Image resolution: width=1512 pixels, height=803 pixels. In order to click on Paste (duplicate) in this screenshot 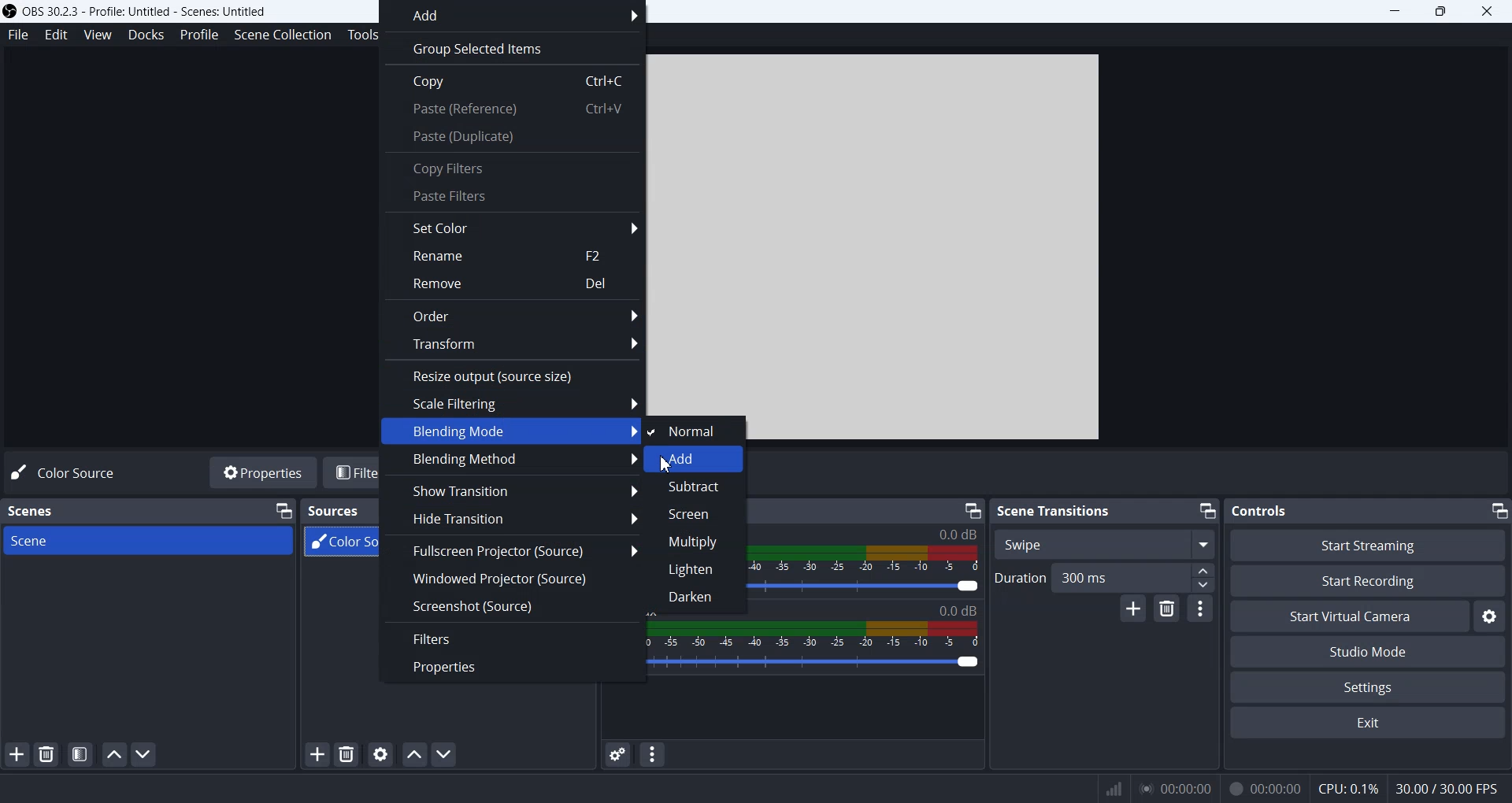, I will do `click(513, 139)`.